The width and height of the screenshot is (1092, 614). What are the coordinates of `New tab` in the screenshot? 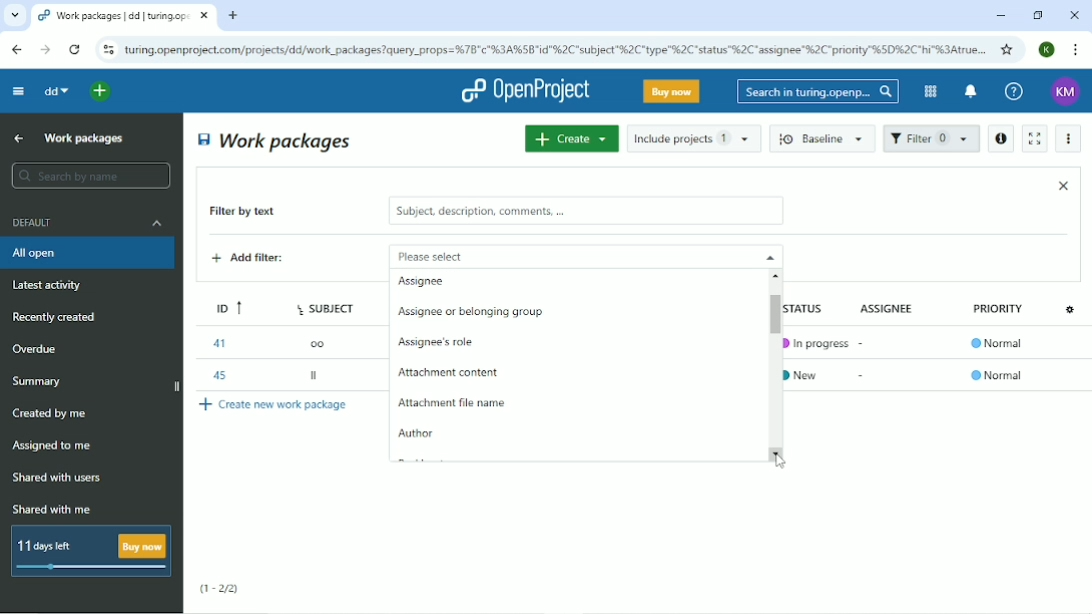 It's located at (233, 16).